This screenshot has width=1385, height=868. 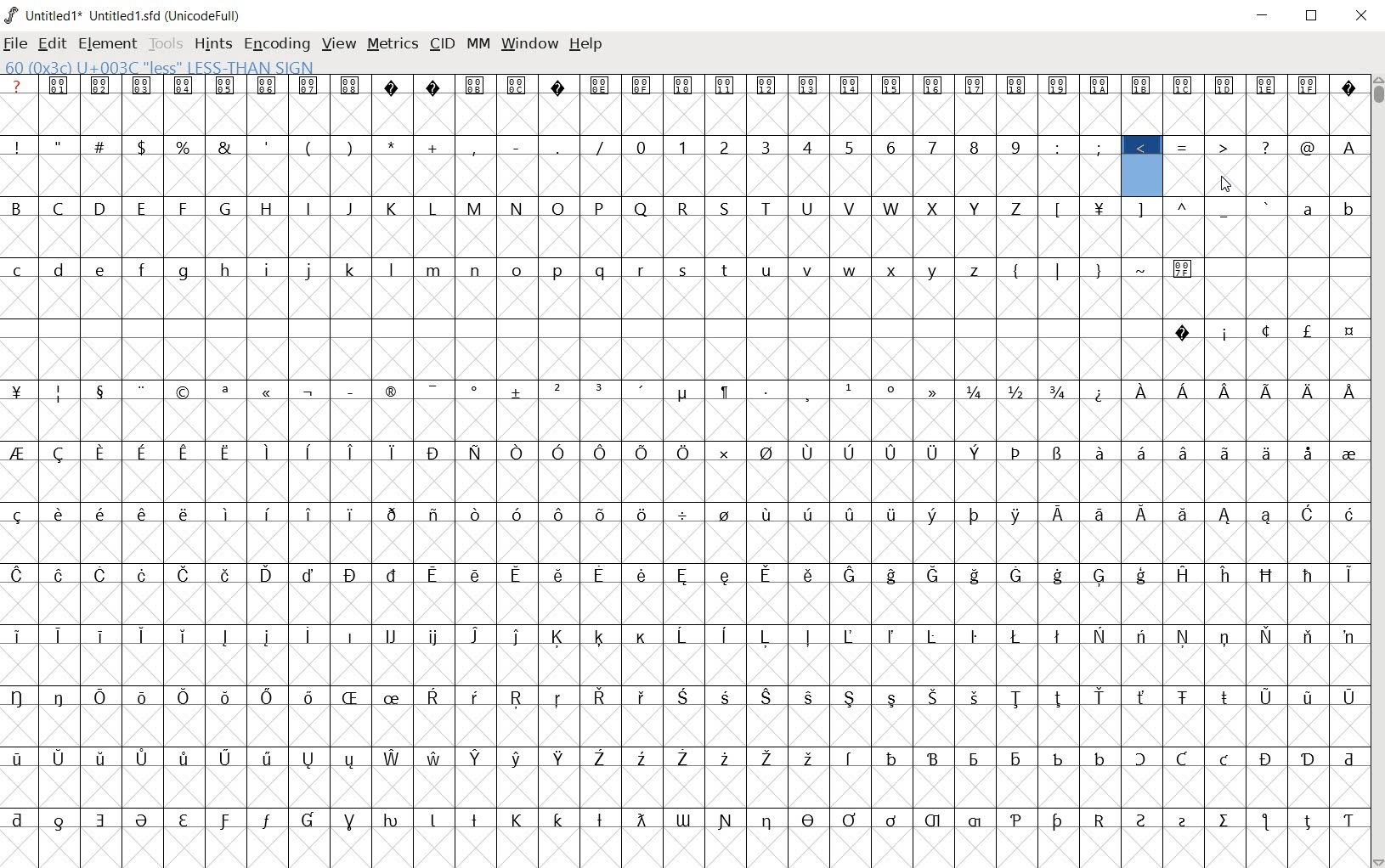 What do you see at coordinates (340, 45) in the screenshot?
I see `view` at bounding box center [340, 45].